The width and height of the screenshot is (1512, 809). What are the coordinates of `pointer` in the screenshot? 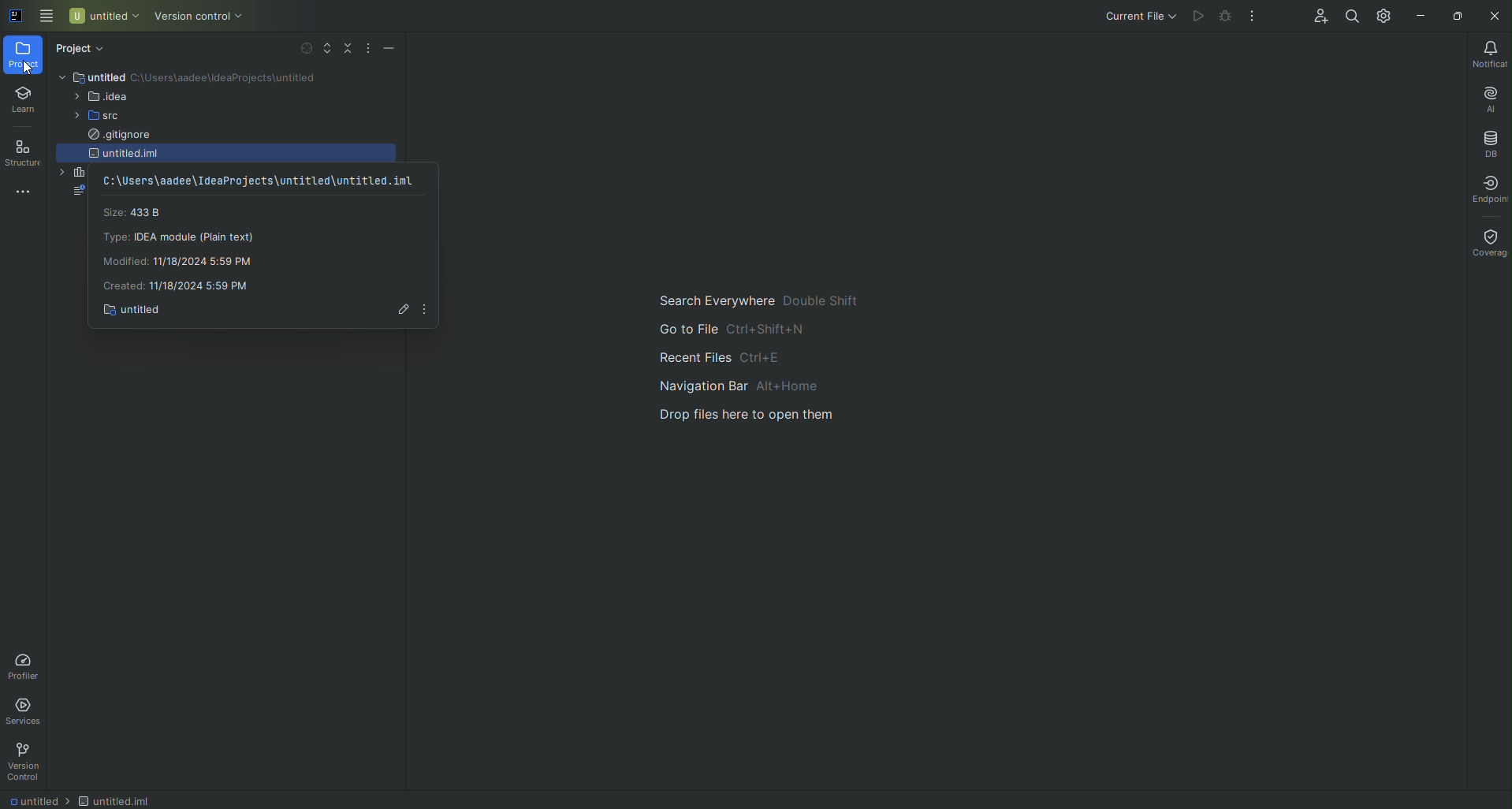 It's located at (23, 68).